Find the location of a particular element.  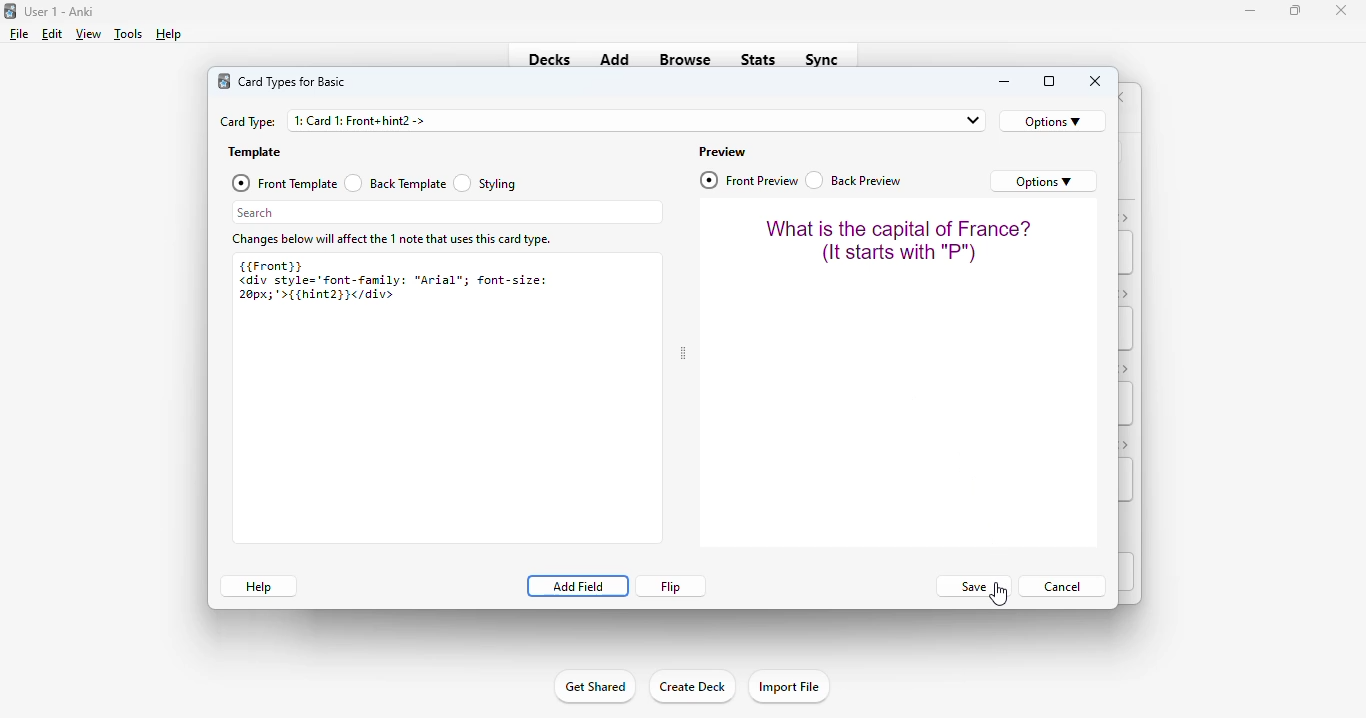

browse is located at coordinates (685, 59).